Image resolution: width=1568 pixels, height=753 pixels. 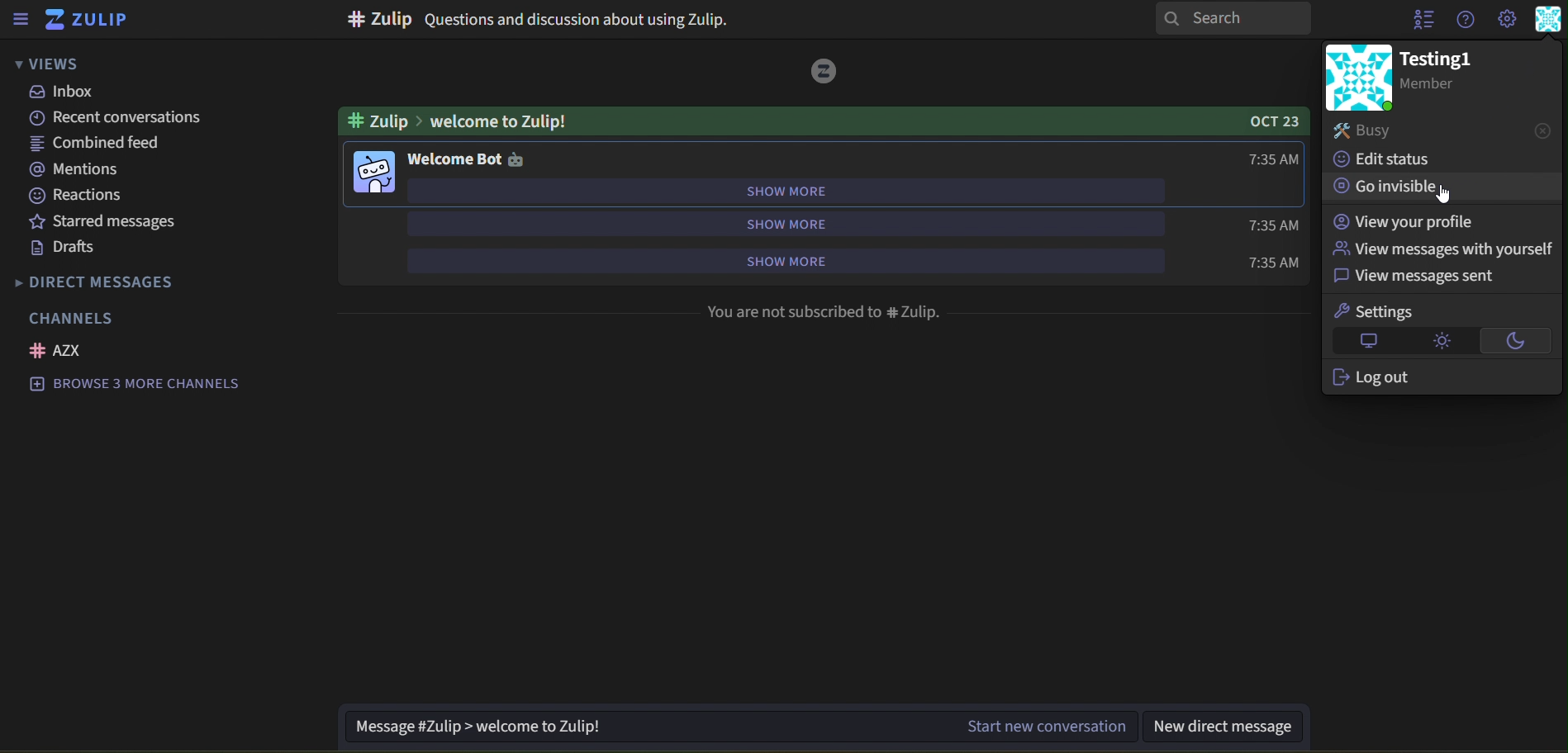 What do you see at coordinates (817, 259) in the screenshot?
I see `show more` at bounding box center [817, 259].